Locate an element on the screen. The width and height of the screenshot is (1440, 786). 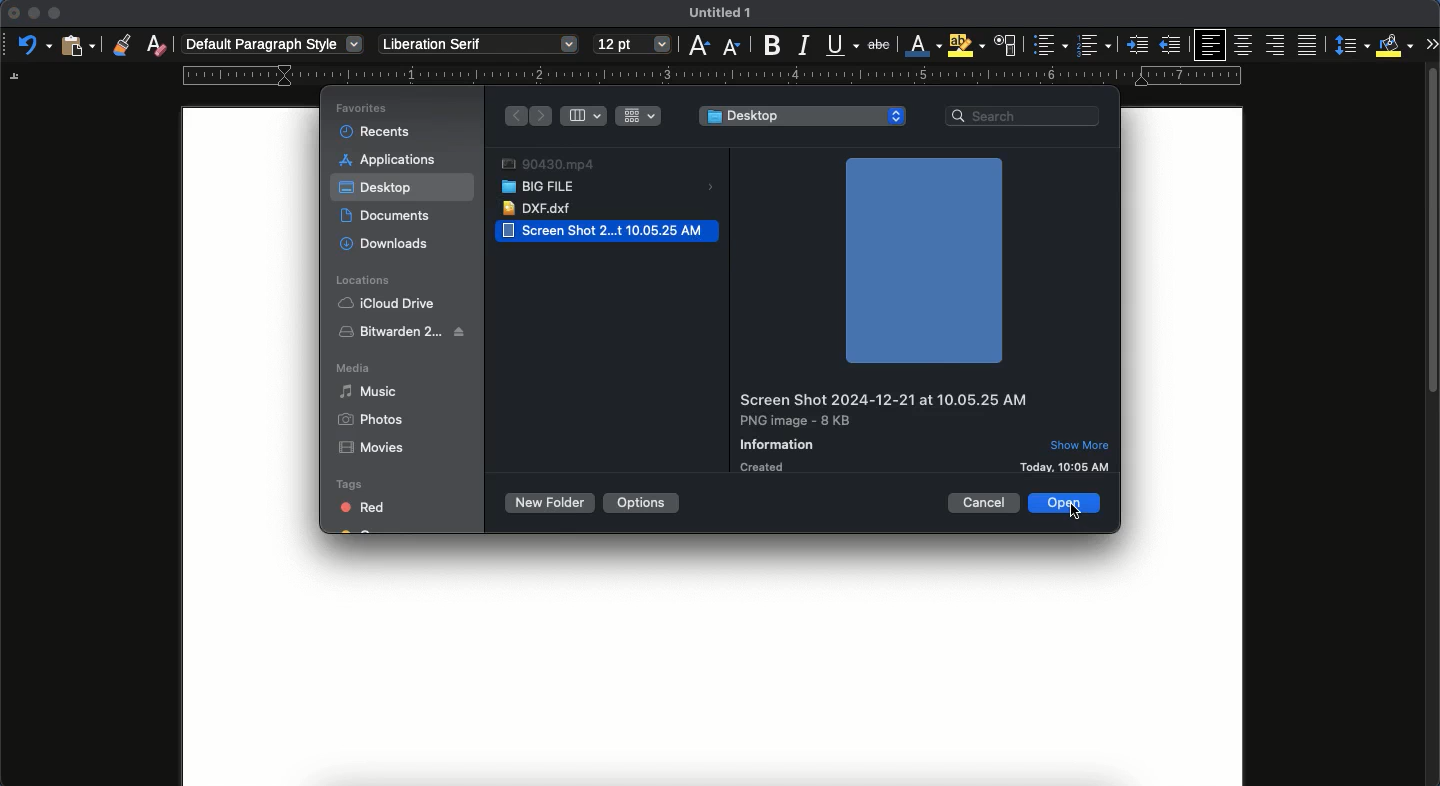
recents is located at coordinates (373, 133).